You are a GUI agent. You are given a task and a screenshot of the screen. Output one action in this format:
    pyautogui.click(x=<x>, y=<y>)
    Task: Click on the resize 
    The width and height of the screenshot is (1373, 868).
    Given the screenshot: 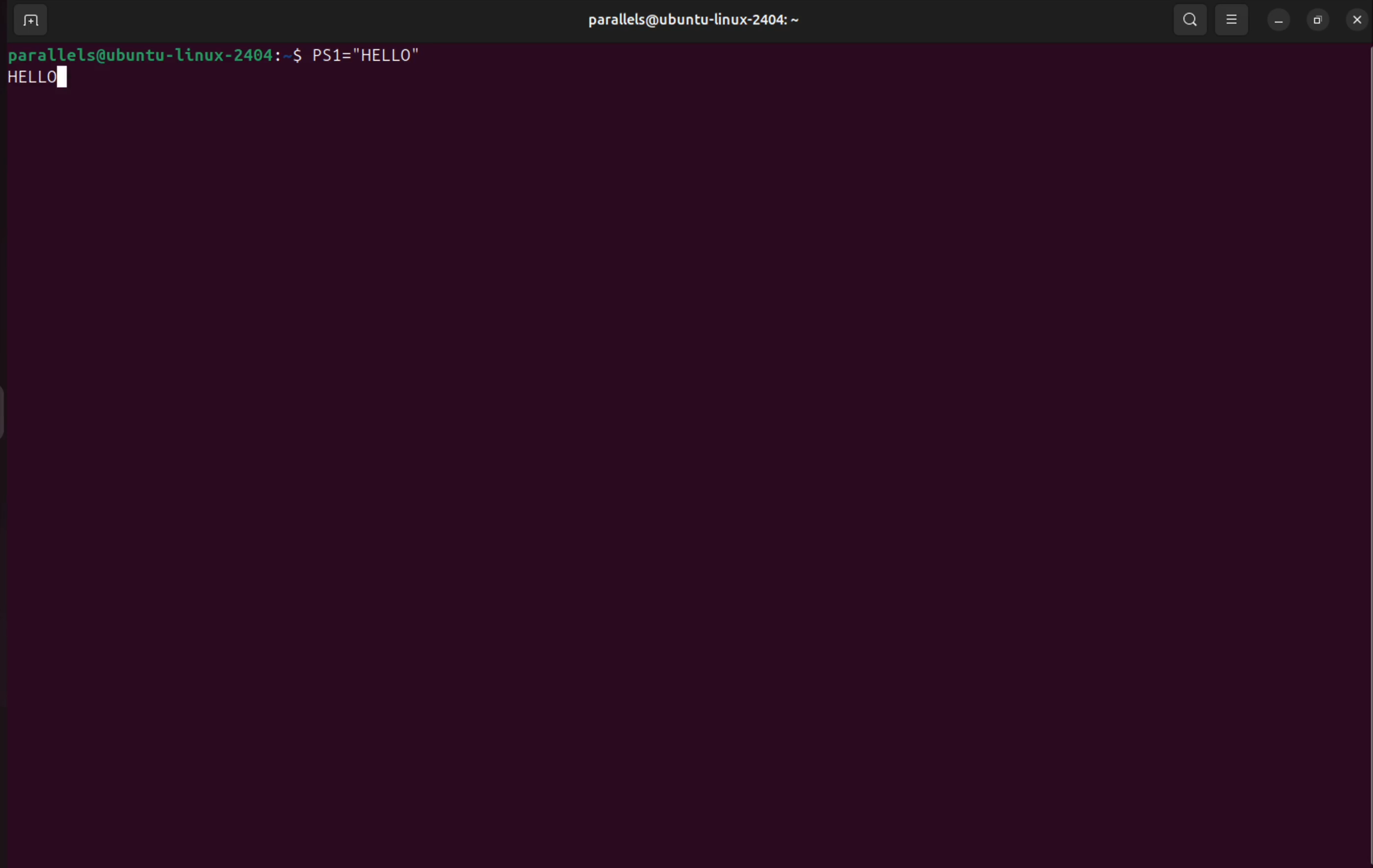 What is the action you would take?
    pyautogui.click(x=1317, y=22)
    